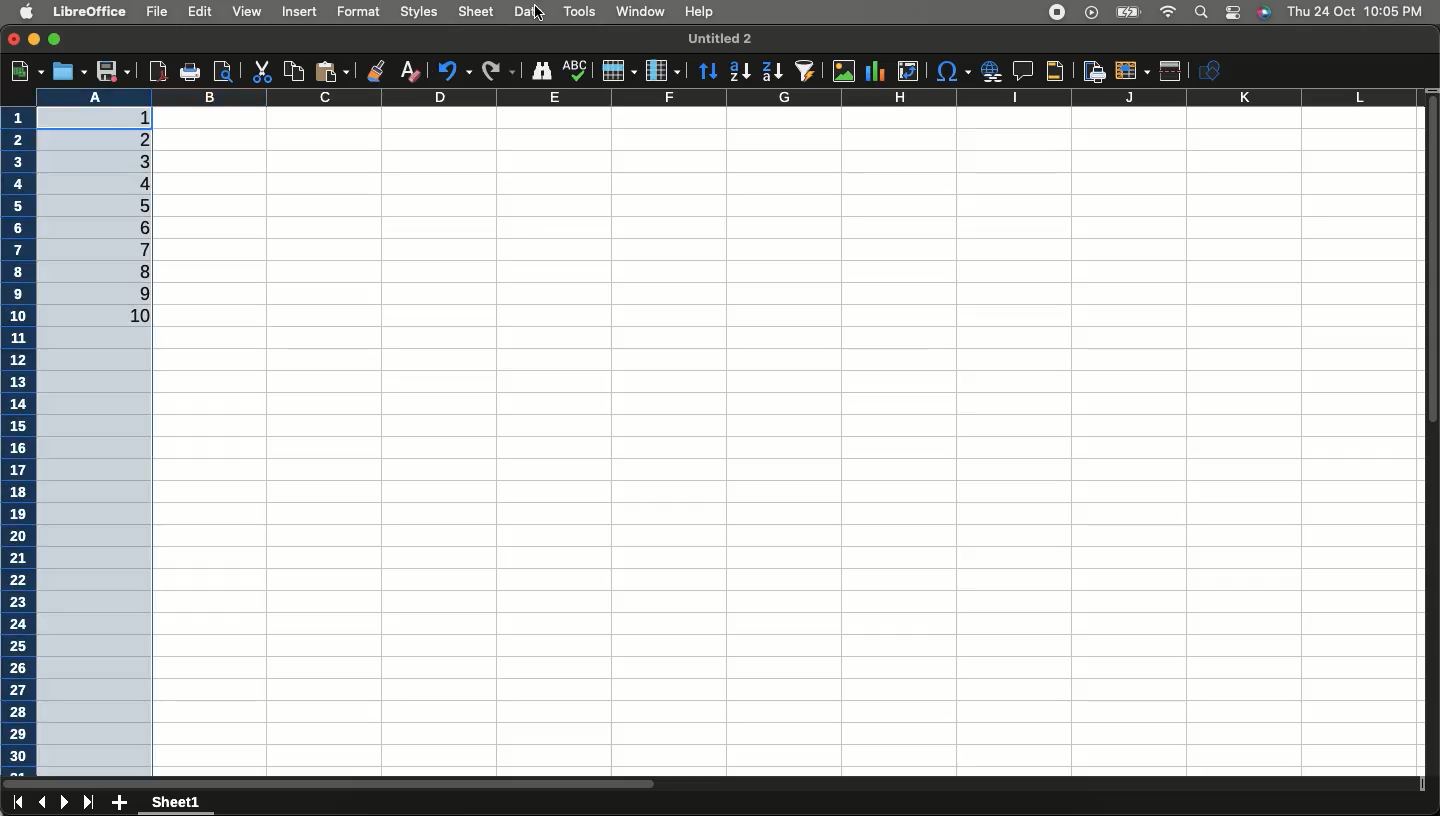 The width and height of the screenshot is (1440, 816). What do you see at coordinates (790, 96) in the screenshot?
I see `Column` at bounding box center [790, 96].